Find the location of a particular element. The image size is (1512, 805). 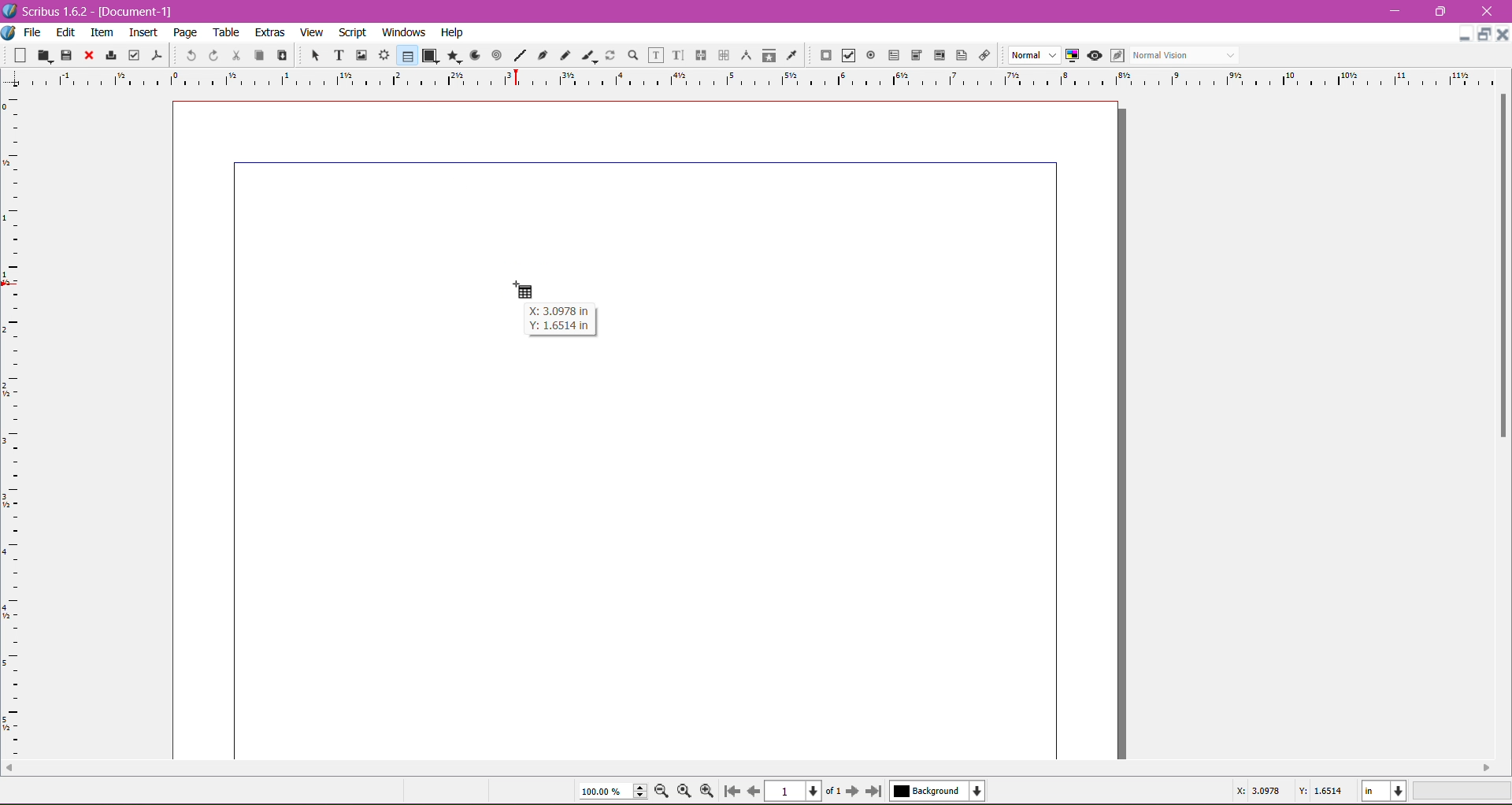

Paste is located at coordinates (280, 56).